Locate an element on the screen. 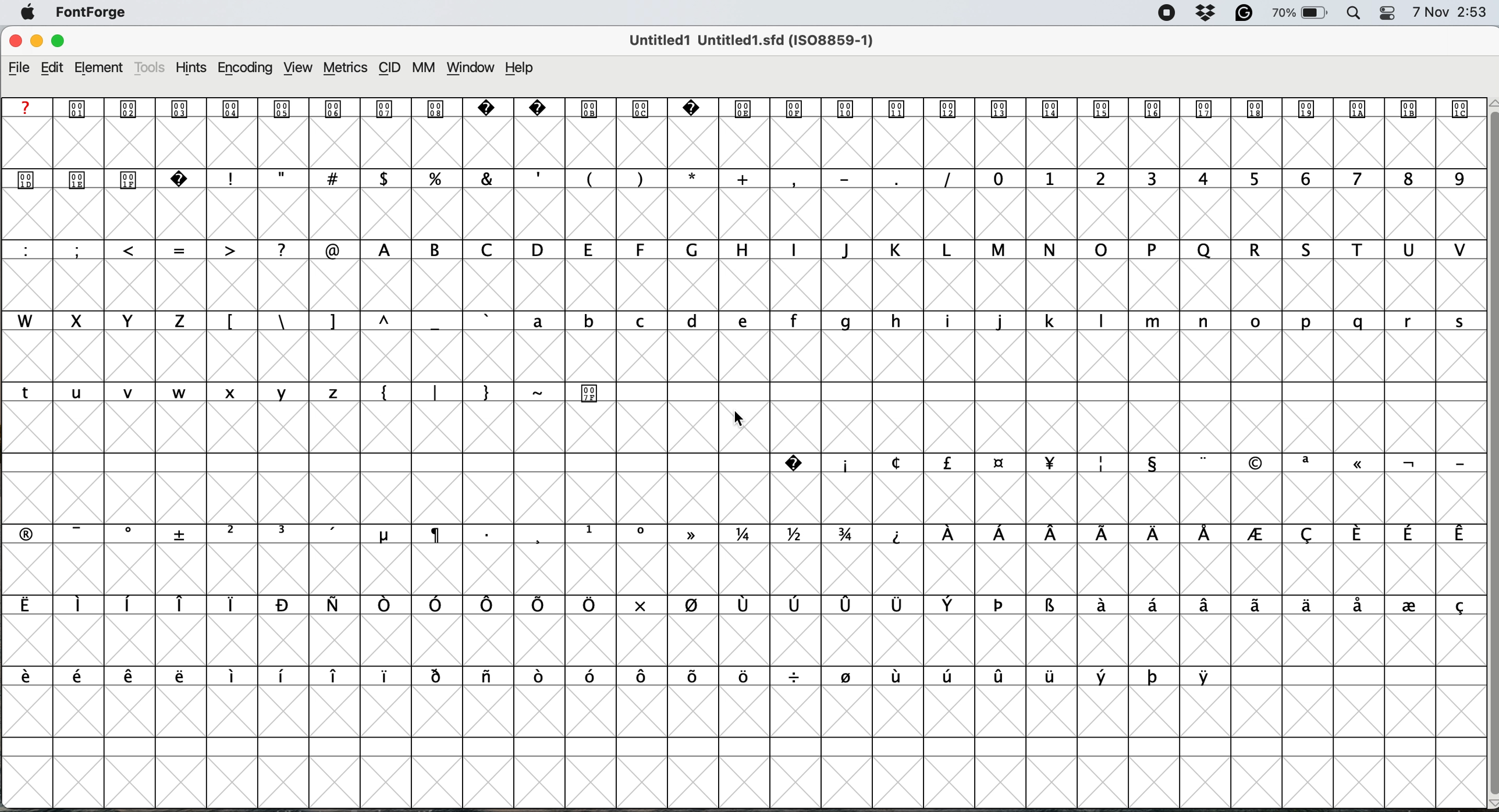 This screenshot has width=1499, height=812. grammarly is located at coordinates (1244, 13).